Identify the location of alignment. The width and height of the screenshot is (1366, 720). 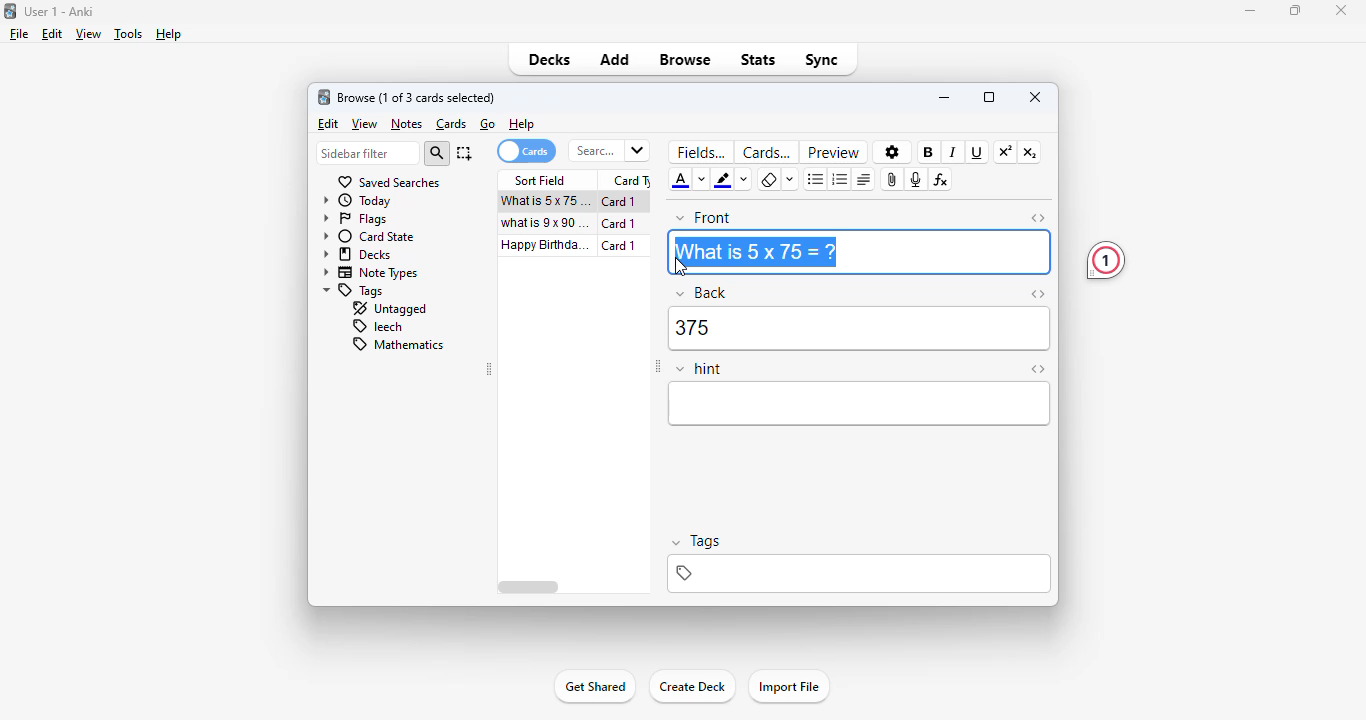
(864, 180).